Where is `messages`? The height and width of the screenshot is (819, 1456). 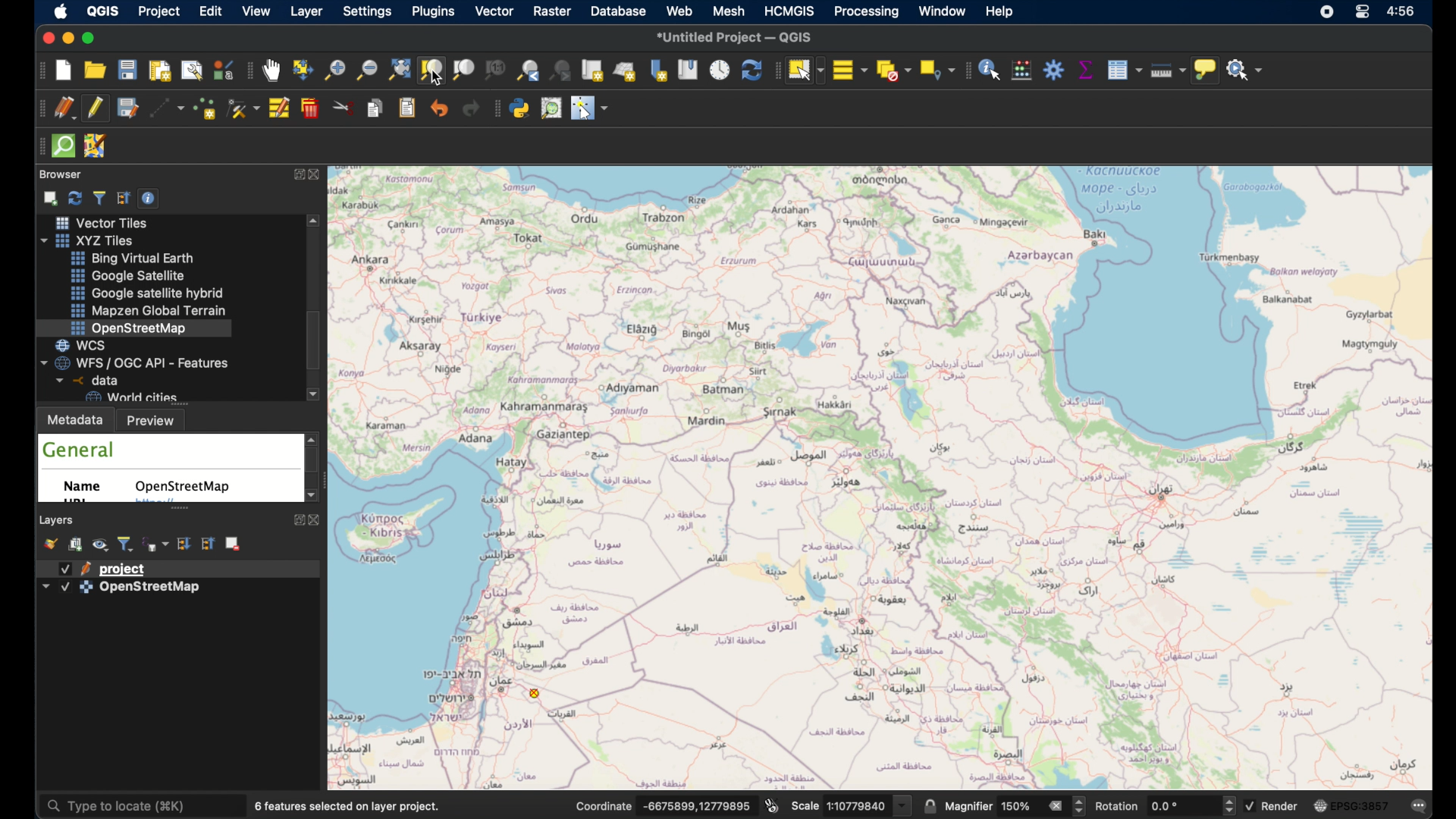
messages is located at coordinates (1419, 804).